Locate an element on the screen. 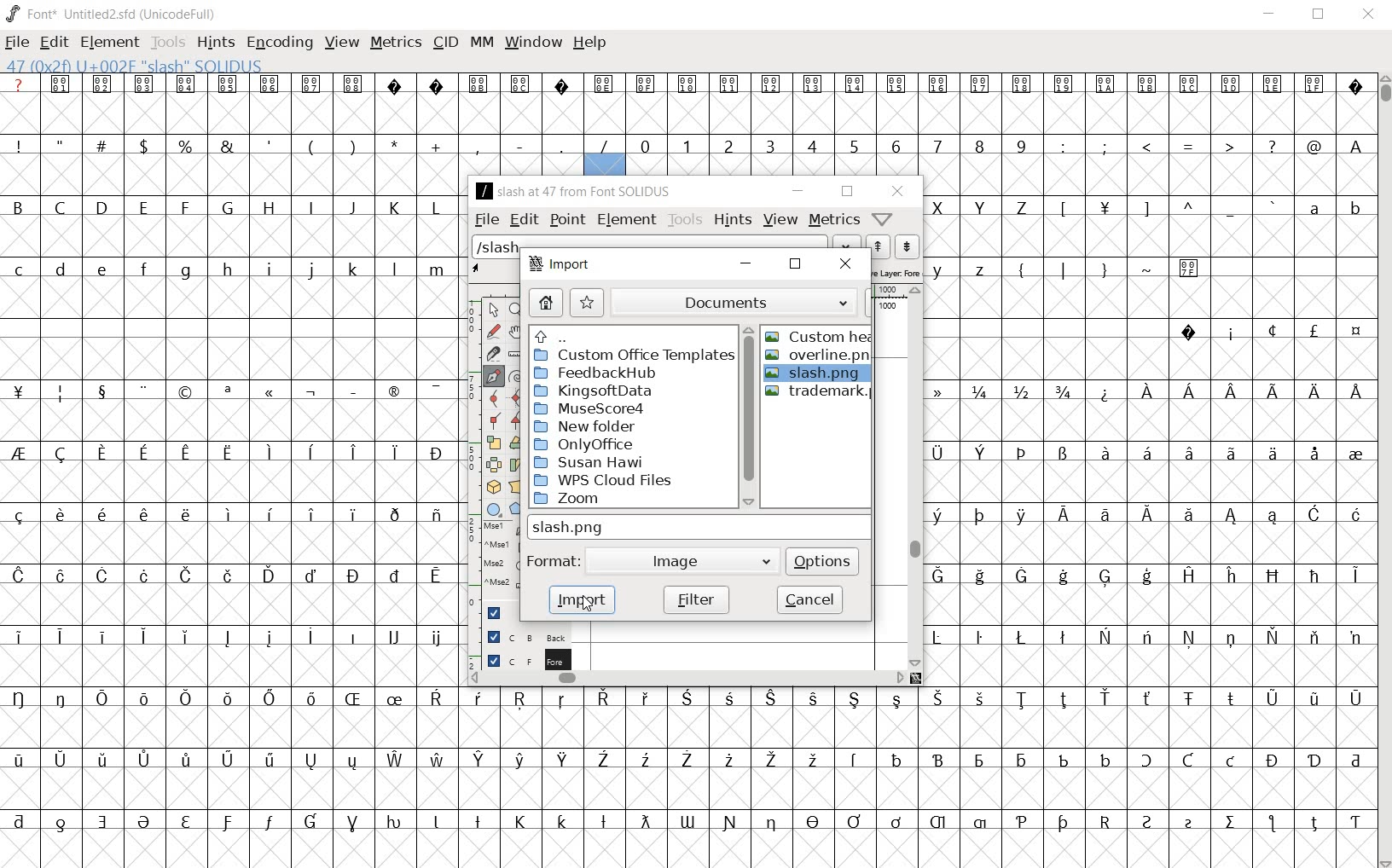 This screenshot has height=868, width=1392. special letters is located at coordinates (684, 760).